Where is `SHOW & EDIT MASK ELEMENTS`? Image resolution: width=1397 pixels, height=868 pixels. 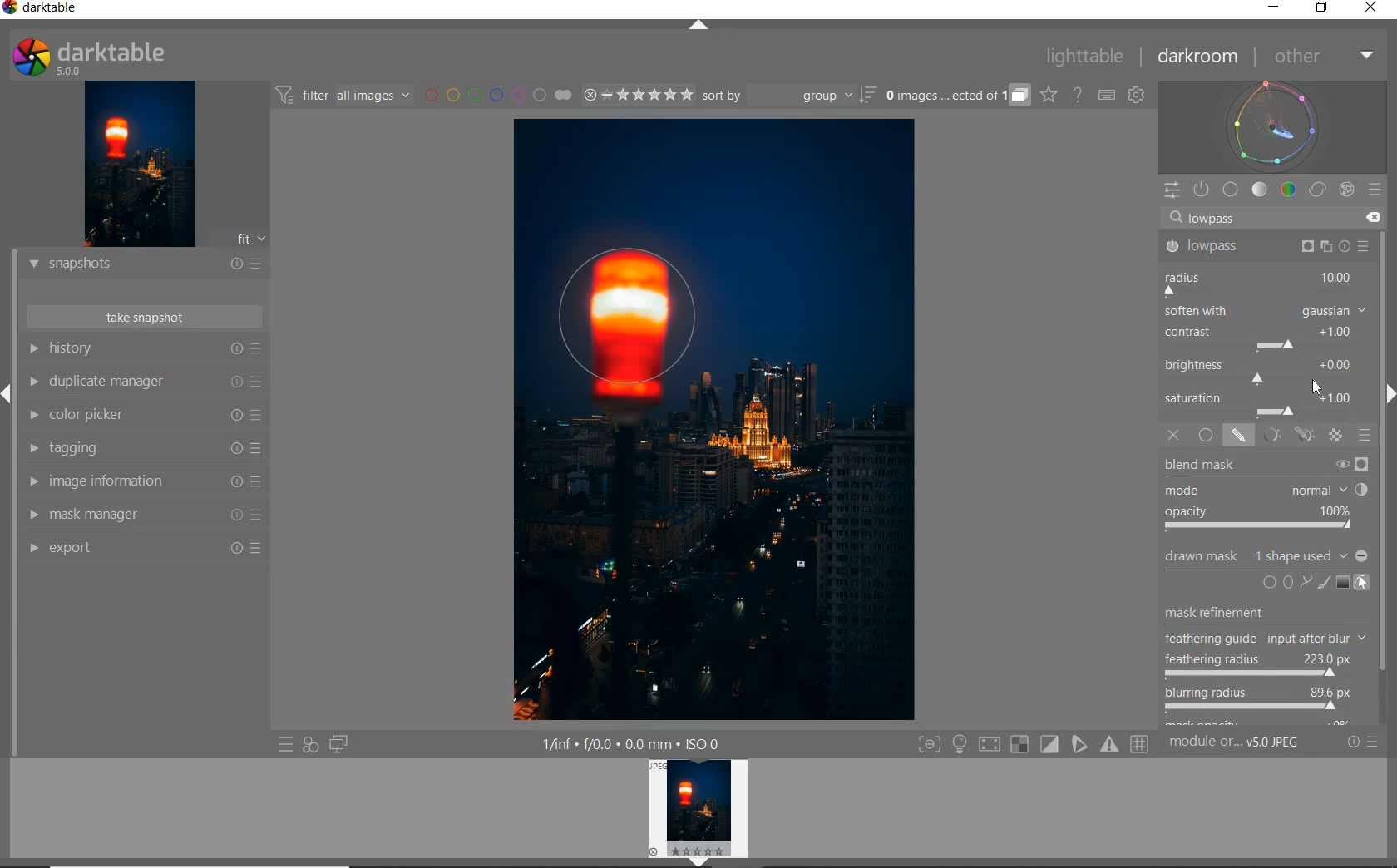 SHOW & EDIT MASK ELEMENTS is located at coordinates (1362, 584).